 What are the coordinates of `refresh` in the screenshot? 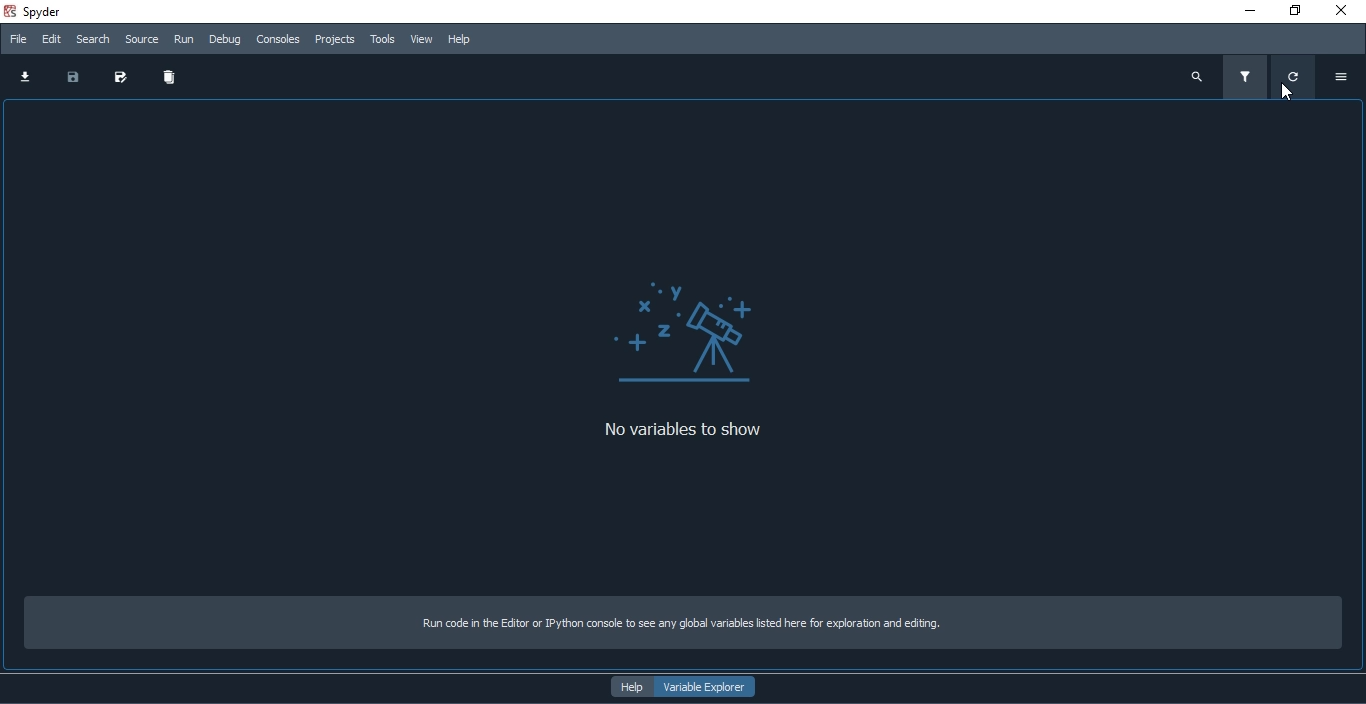 It's located at (1295, 79).